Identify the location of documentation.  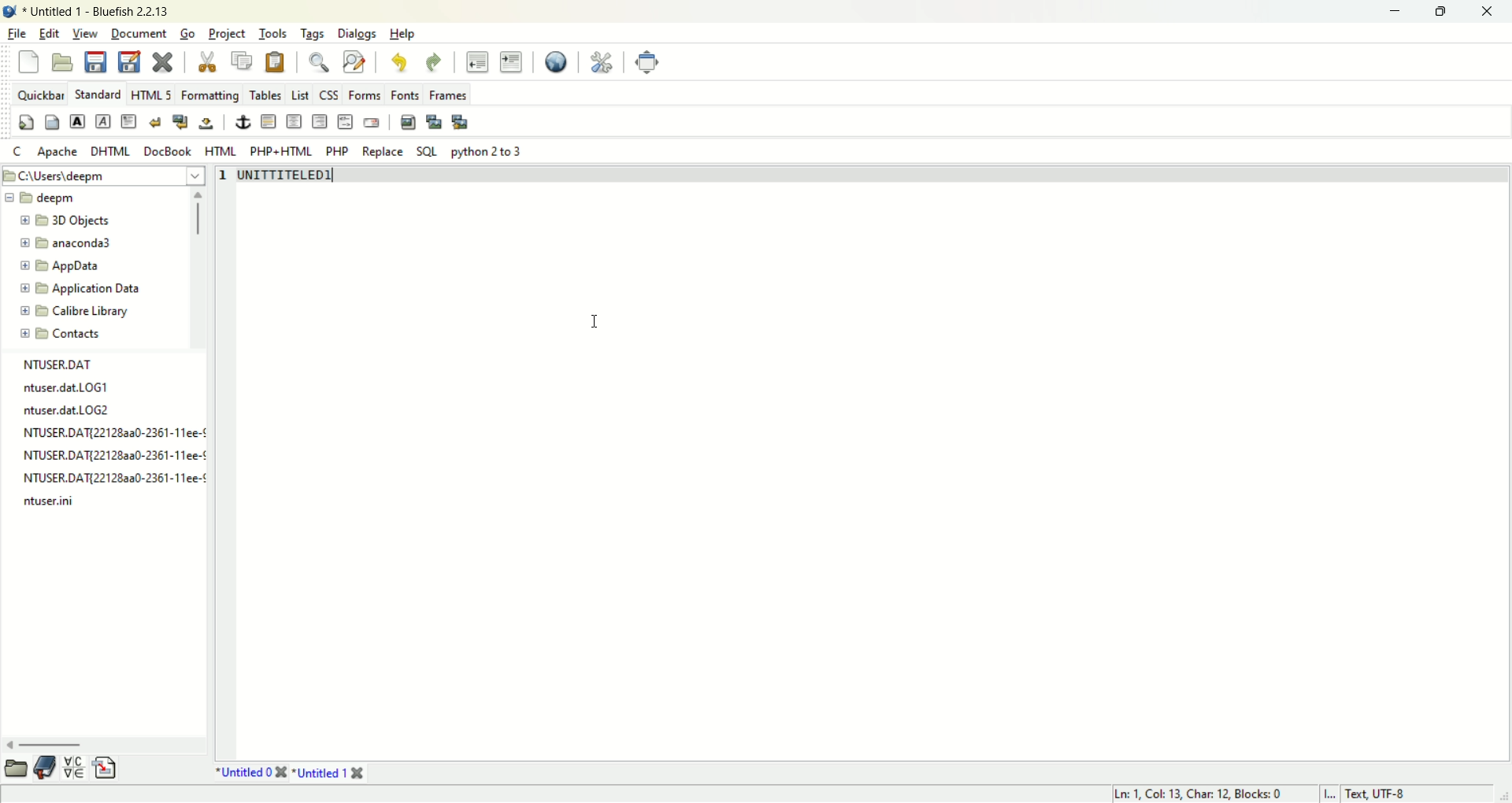
(45, 769).